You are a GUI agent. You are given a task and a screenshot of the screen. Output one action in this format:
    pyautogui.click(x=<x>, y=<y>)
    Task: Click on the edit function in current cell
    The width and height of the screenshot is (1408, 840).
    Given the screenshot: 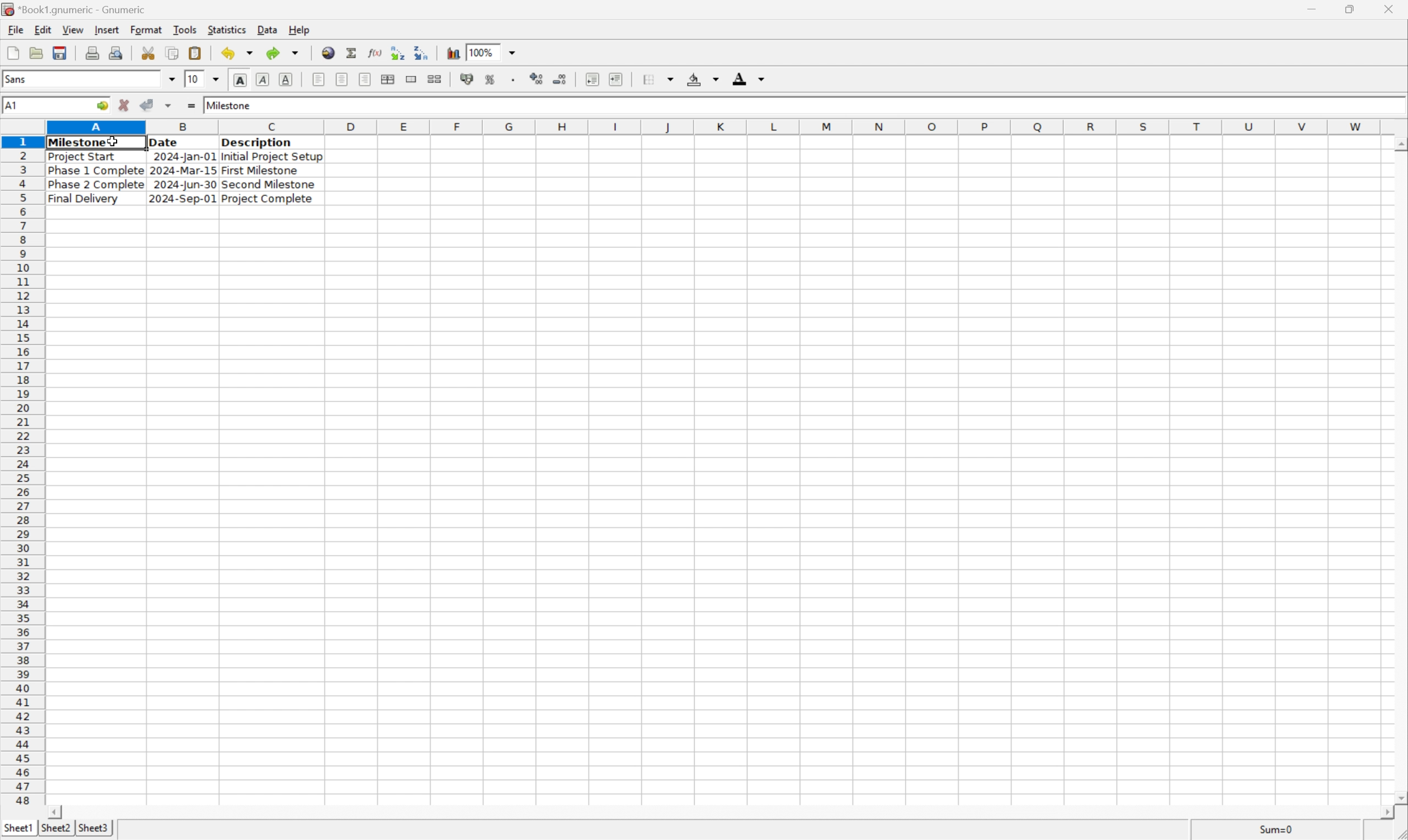 What is the action you would take?
    pyautogui.click(x=374, y=52)
    